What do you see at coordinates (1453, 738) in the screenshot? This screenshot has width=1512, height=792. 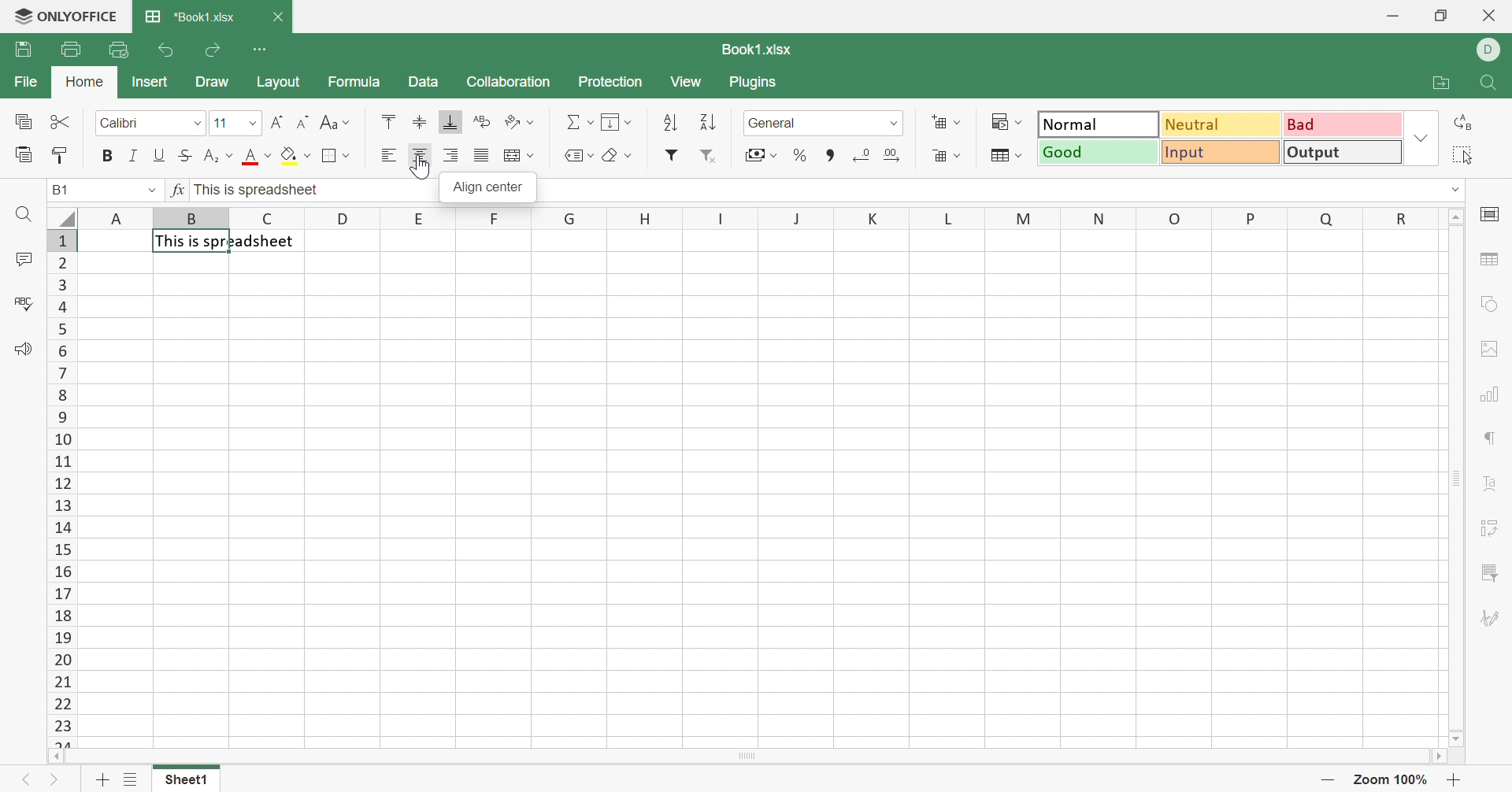 I see `Scroll Down` at bounding box center [1453, 738].